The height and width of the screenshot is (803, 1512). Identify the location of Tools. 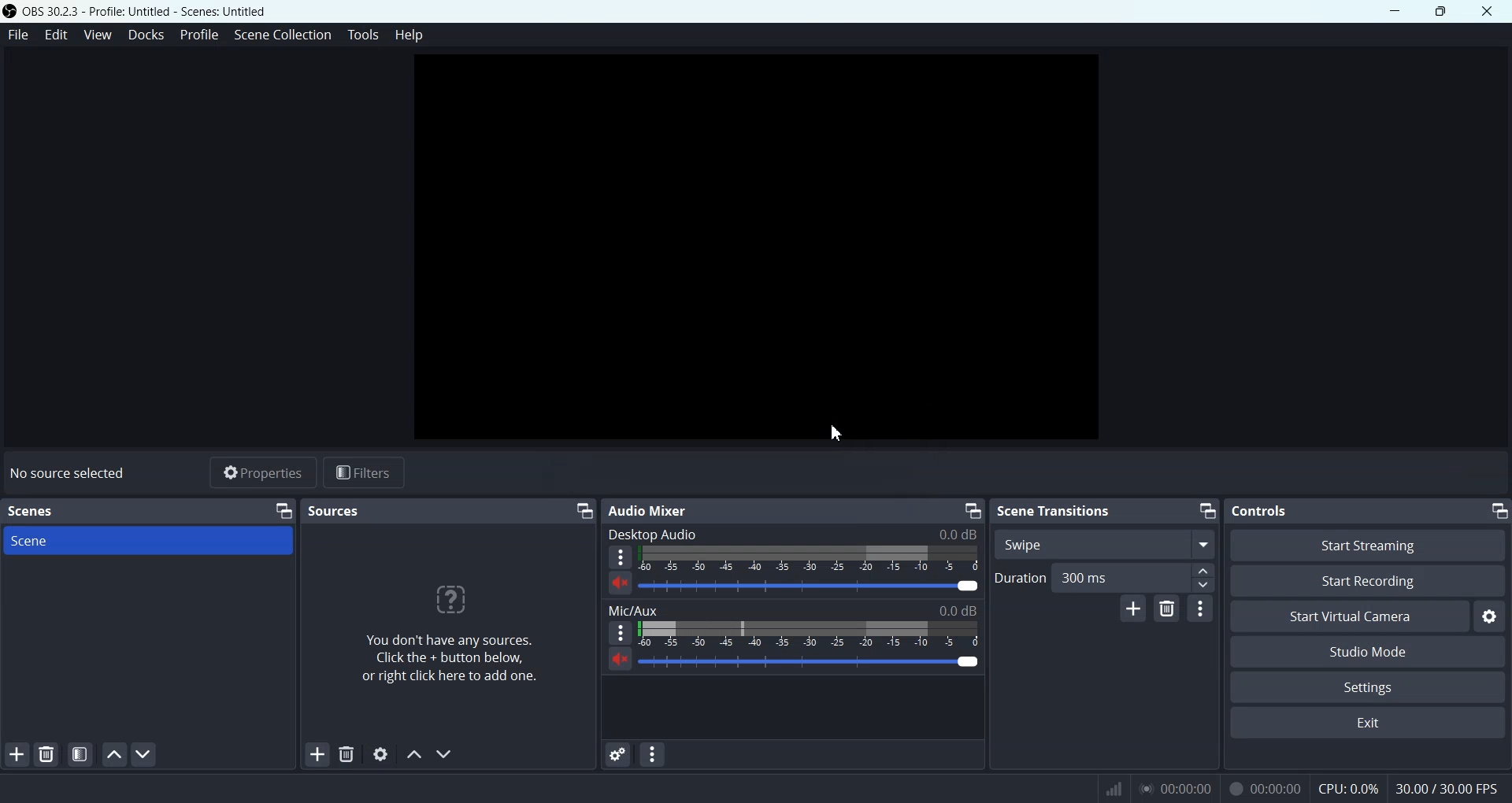
(362, 35).